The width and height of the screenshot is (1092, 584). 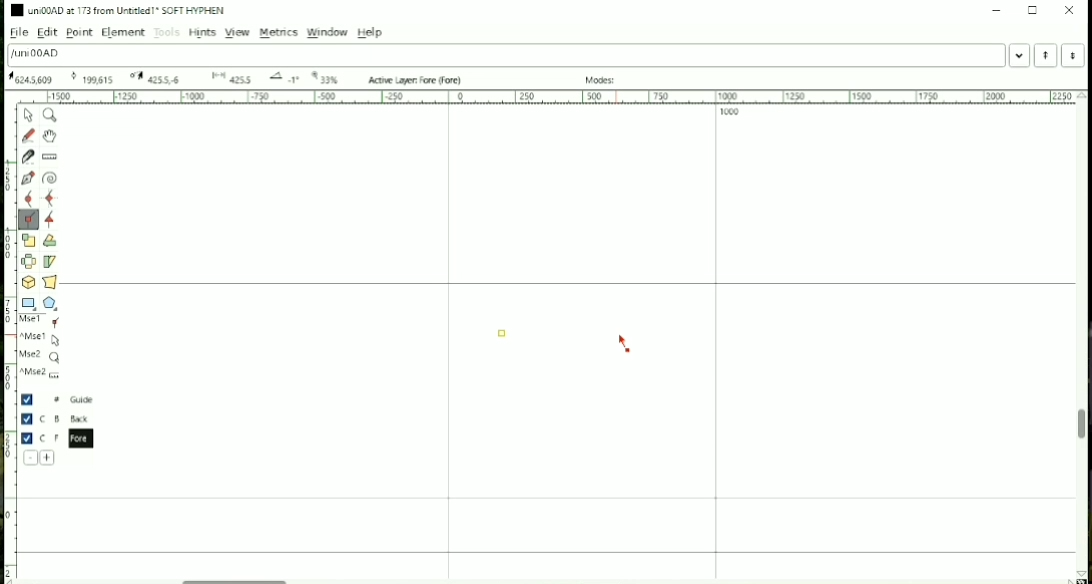 I want to click on 173 Oxad U+00AD "uni00AD" SOFT HYPHEN, so click(x=286, y=77).